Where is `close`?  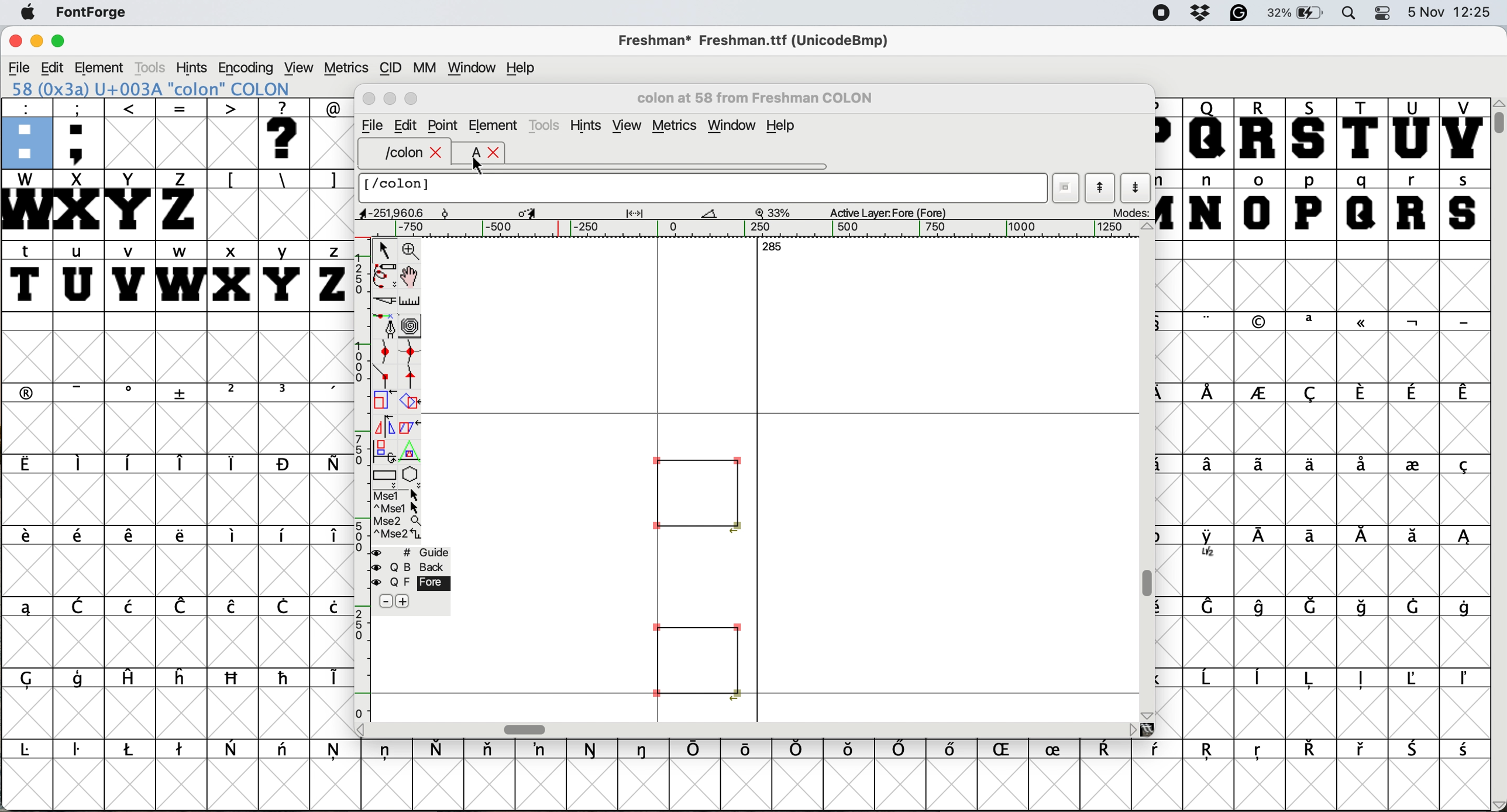
close is located at coordinates (495, 154).